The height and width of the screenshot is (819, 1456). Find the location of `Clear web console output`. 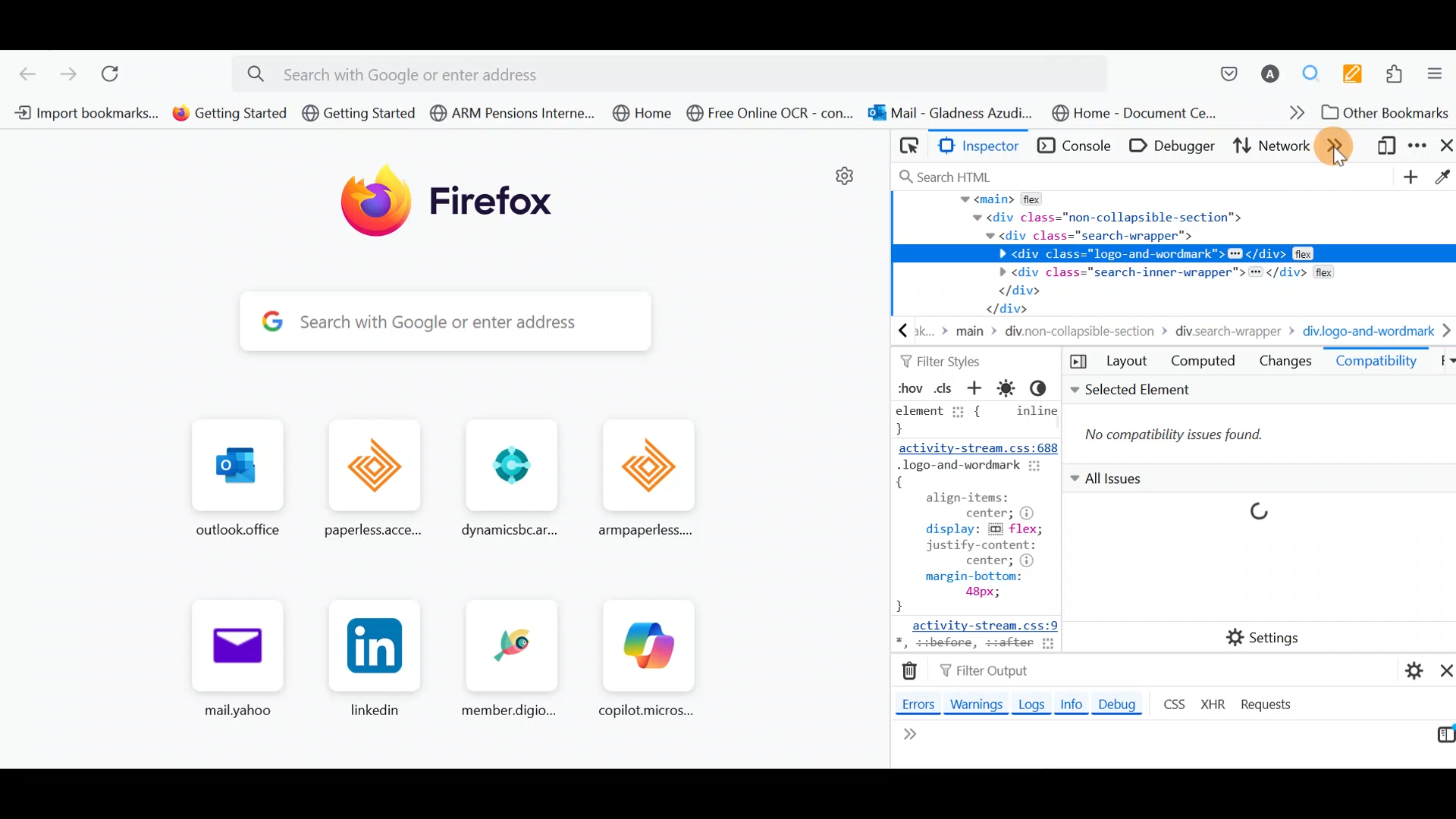

Clear web console output is located at coordinates (912, 672).